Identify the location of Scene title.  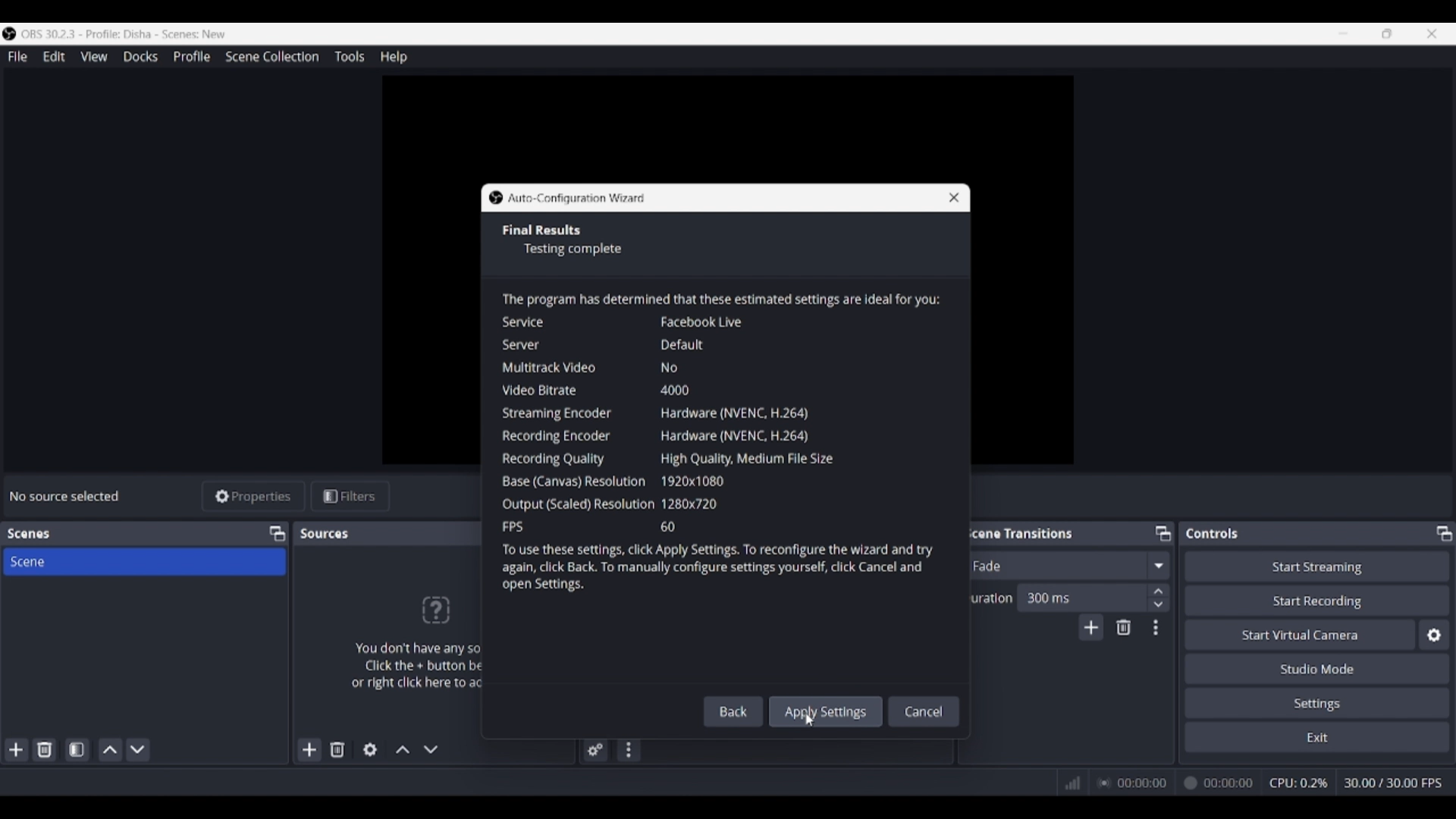
(144, 561).